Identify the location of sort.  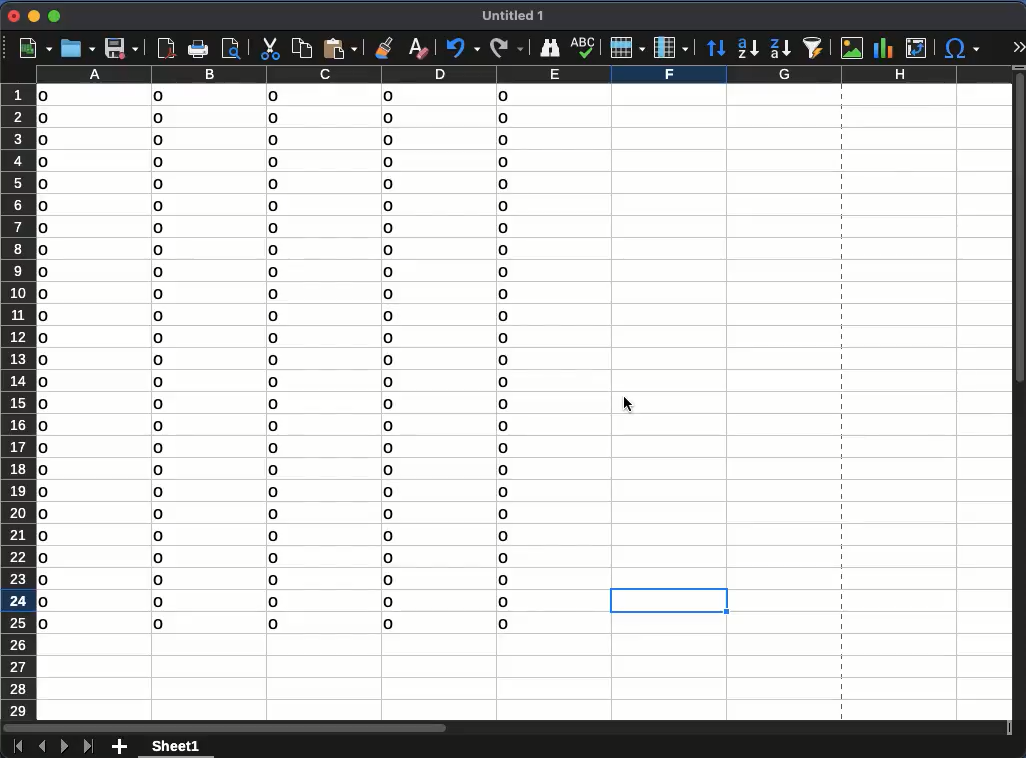
(715, 48).